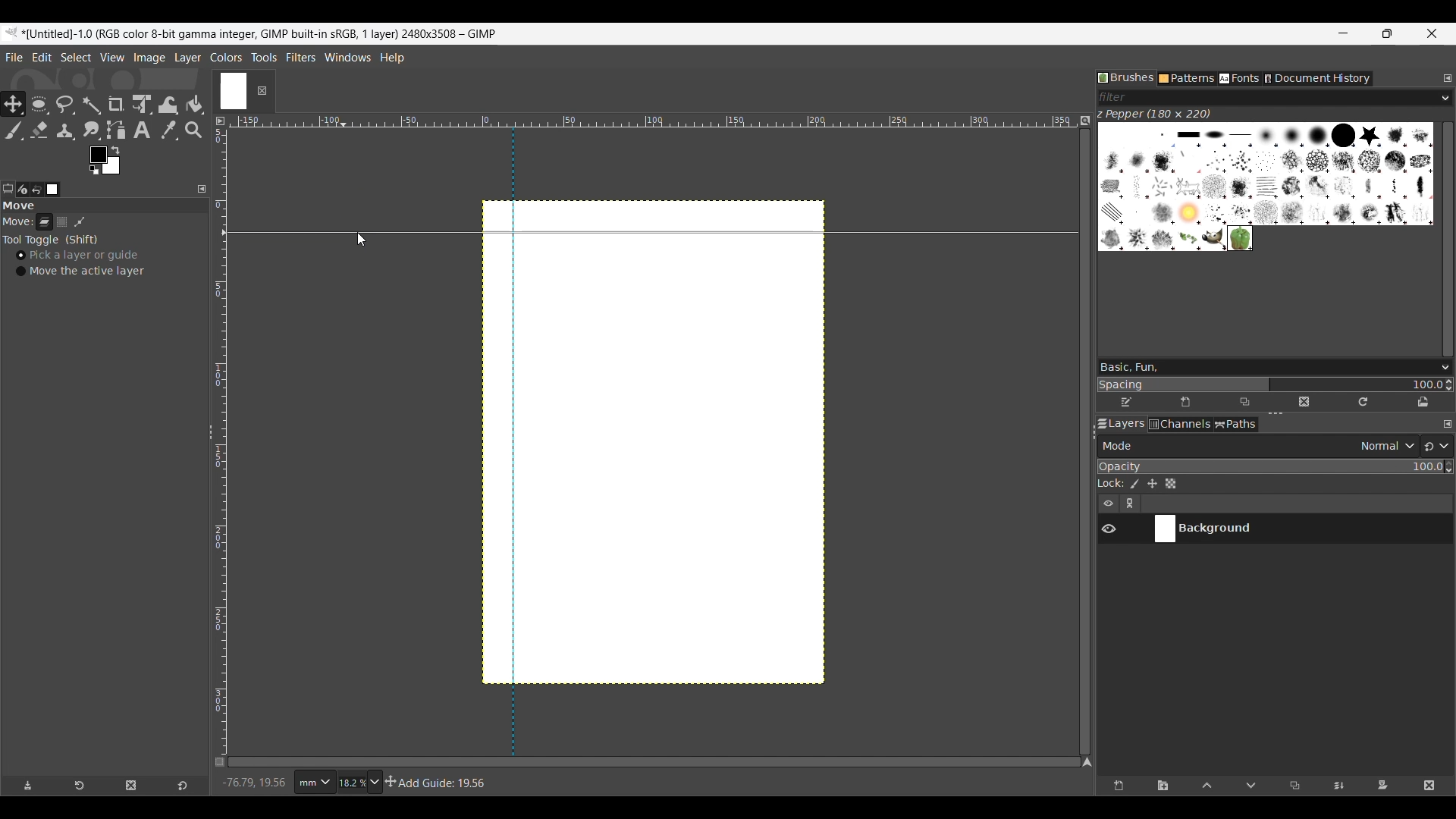 The width and height of the screenshot is (1456, 819). I want to click on Delete tool preset, so click(131, 786).